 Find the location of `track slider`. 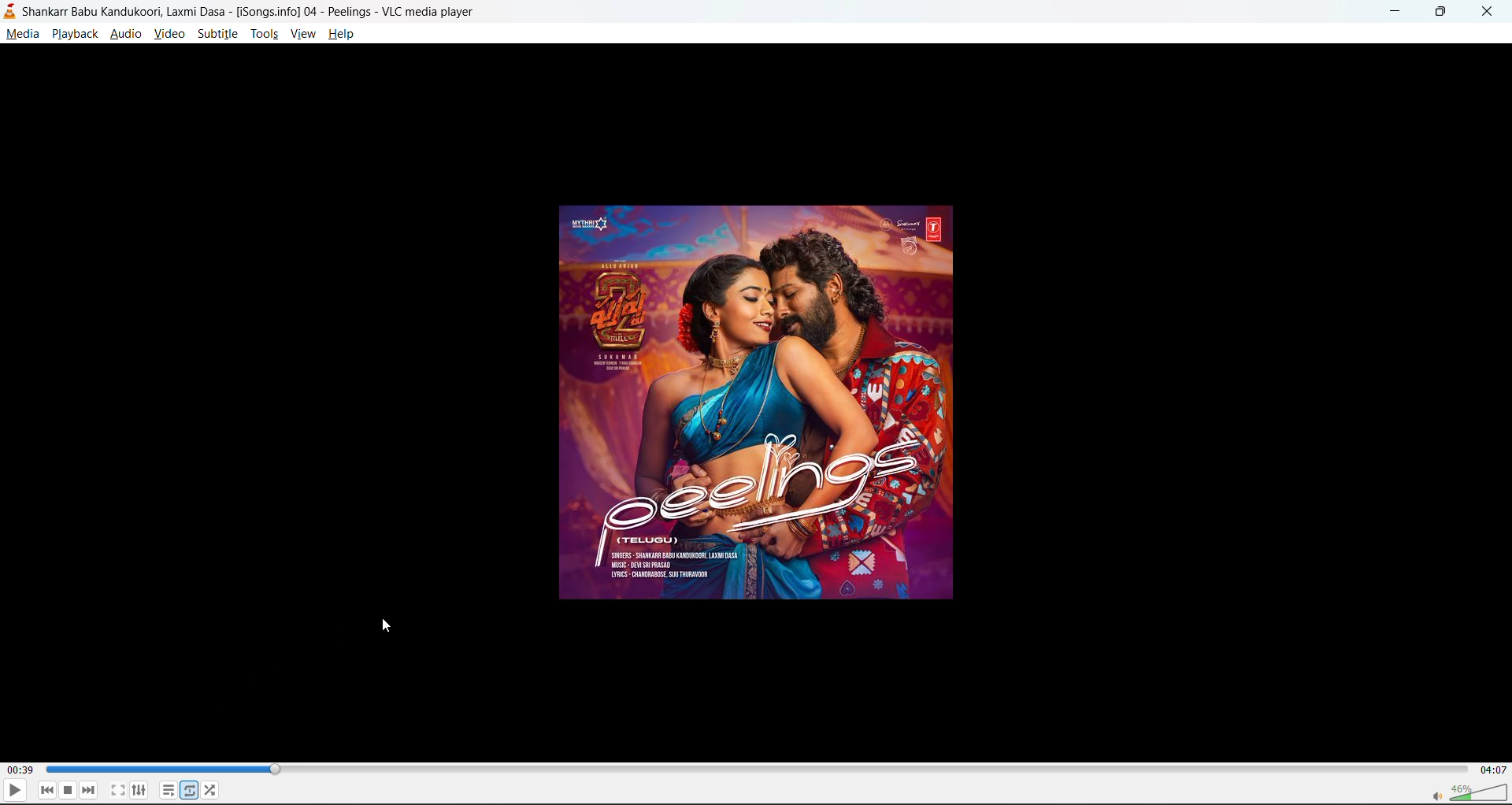

track slider is located at coordinates (750, 768).